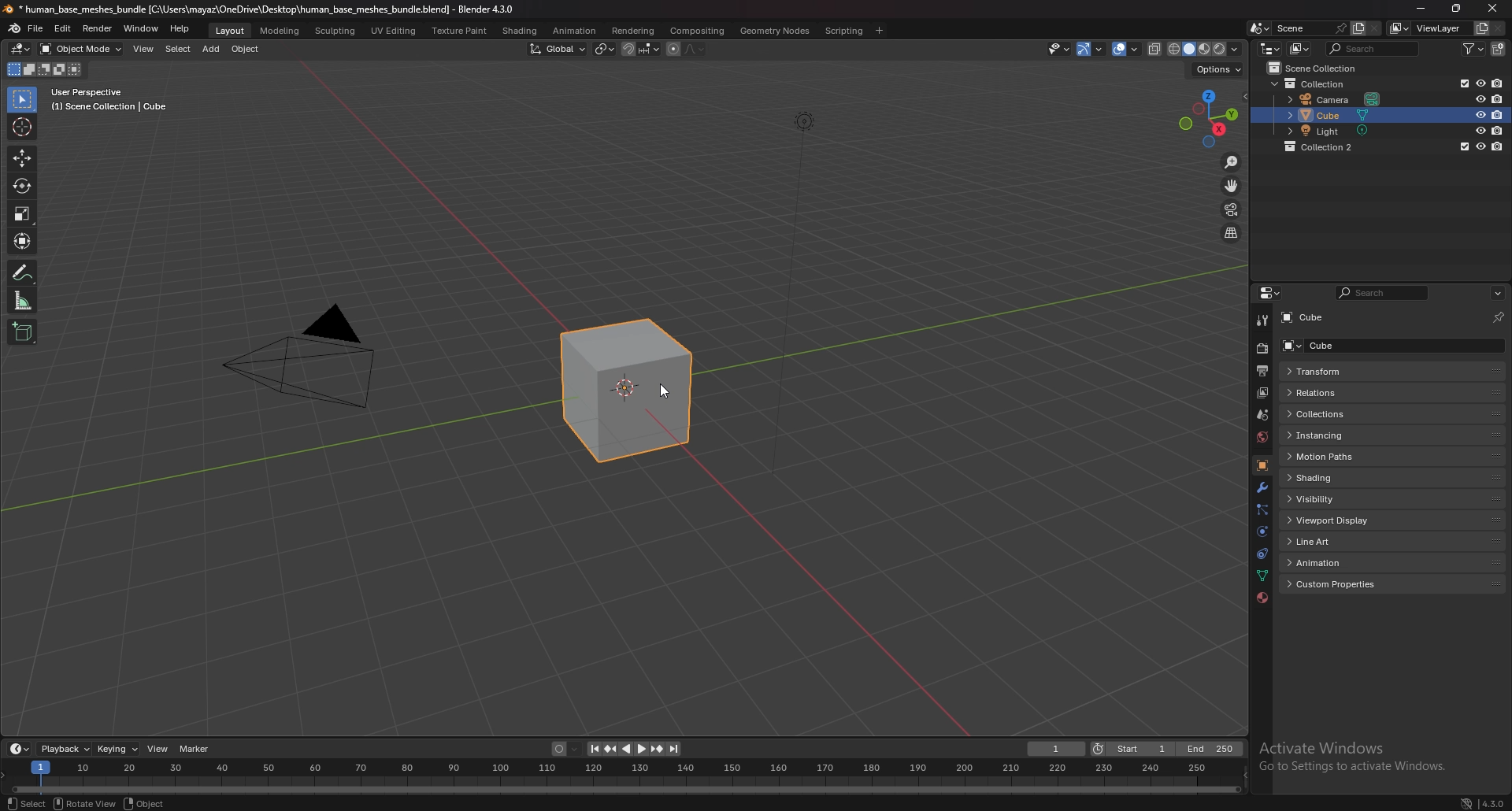  What do you see at coordinates (1262, 349) in the screenshot?
I see `render` at bounding box center [1262, 349].